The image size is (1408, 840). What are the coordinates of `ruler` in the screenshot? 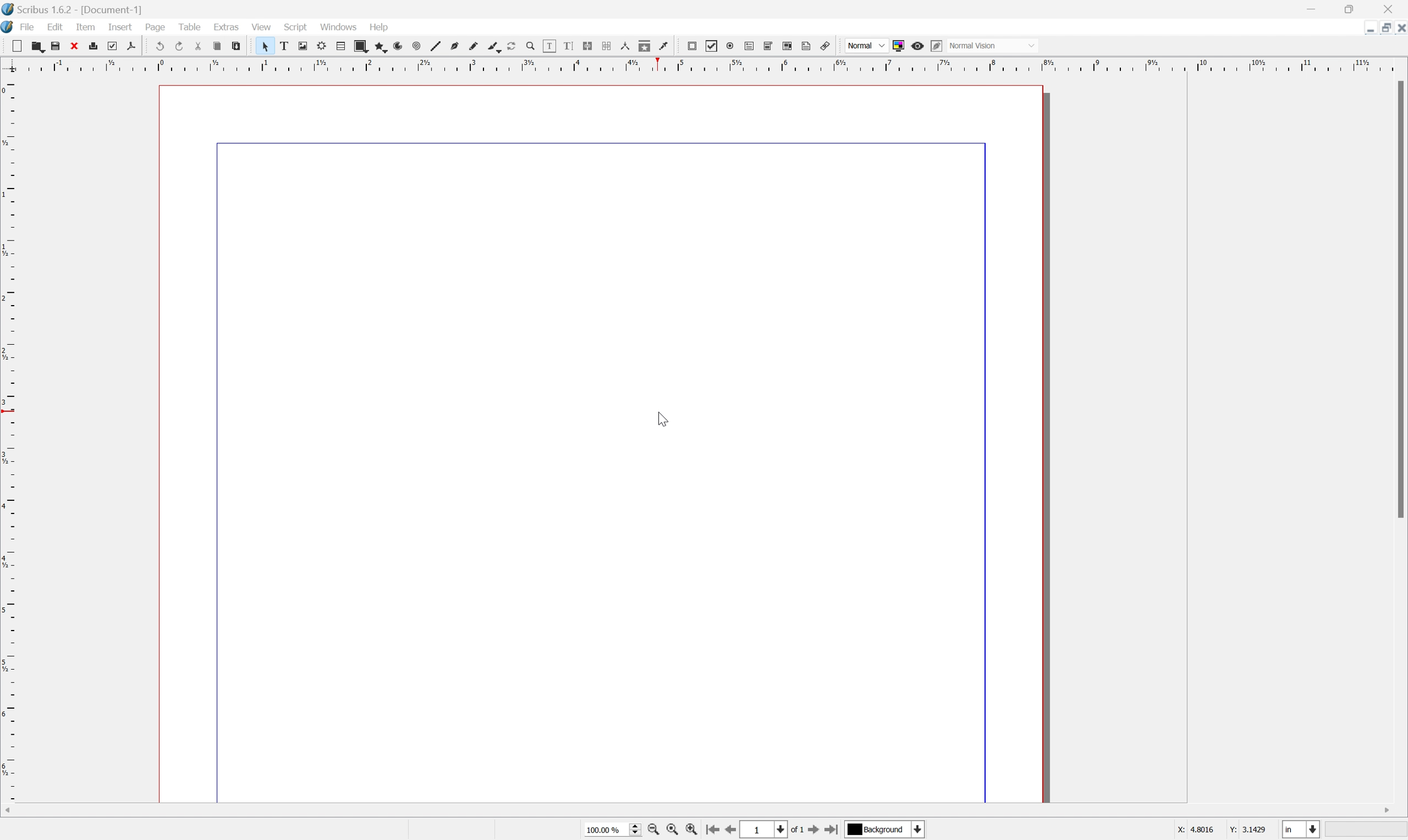 It's located at (704, 65).